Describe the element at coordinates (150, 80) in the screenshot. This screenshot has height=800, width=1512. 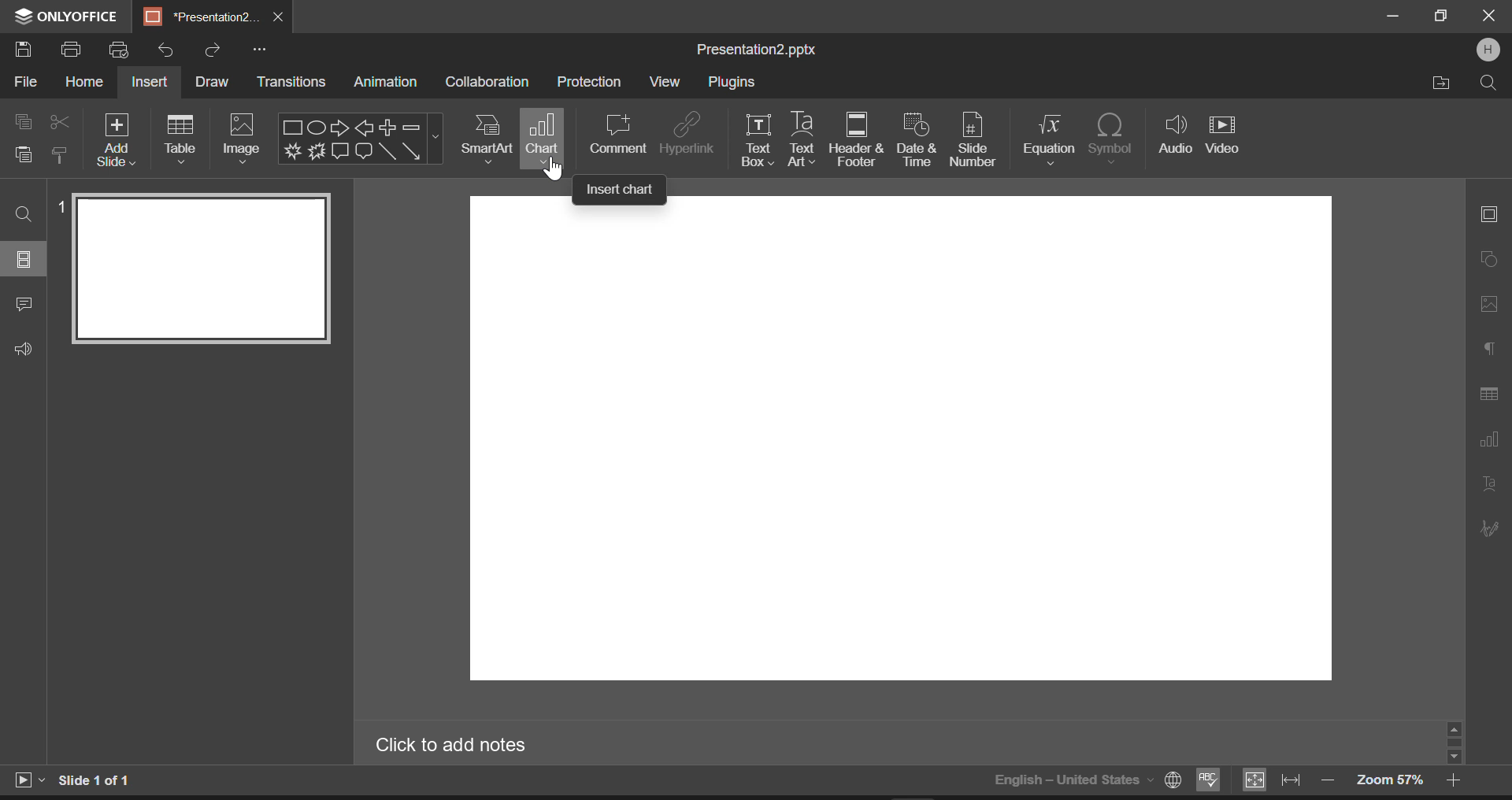
I see `Insert` at that location.